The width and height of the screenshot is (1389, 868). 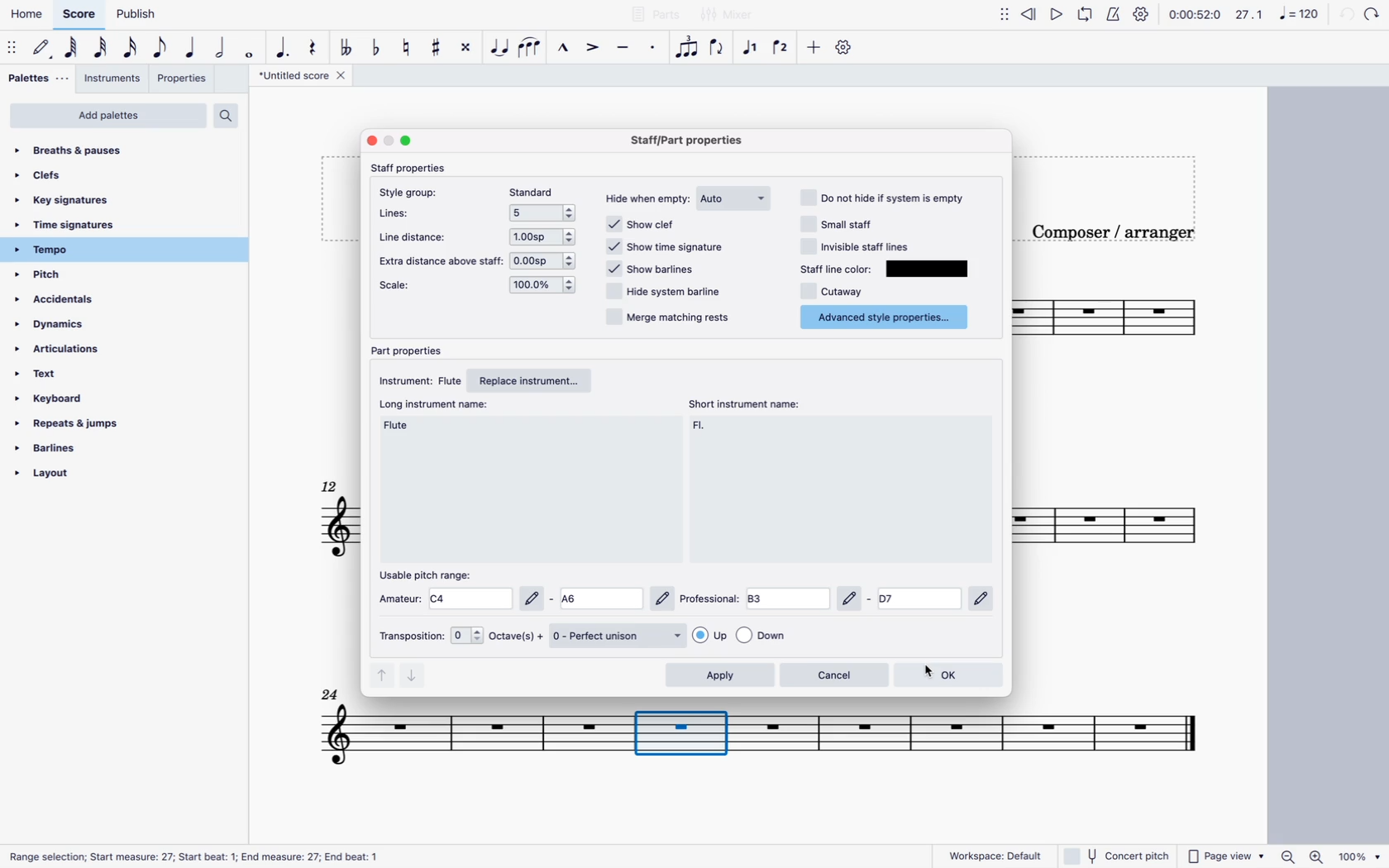 I want to click on options, so click(x=744, y=637).